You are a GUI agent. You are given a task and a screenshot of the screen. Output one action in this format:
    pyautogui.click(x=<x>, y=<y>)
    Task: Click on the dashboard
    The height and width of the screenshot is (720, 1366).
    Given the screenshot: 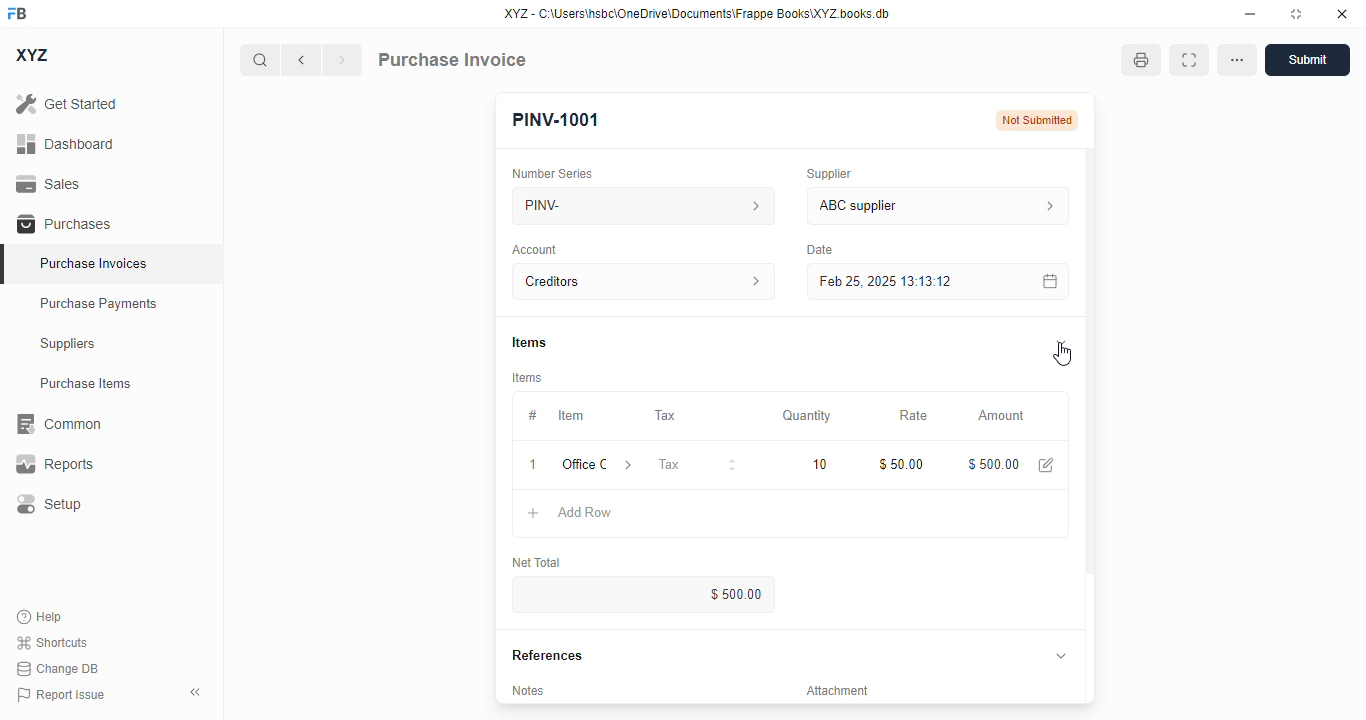 What is the action you would take?
    pyautogui.click(x=65, y=143)
    